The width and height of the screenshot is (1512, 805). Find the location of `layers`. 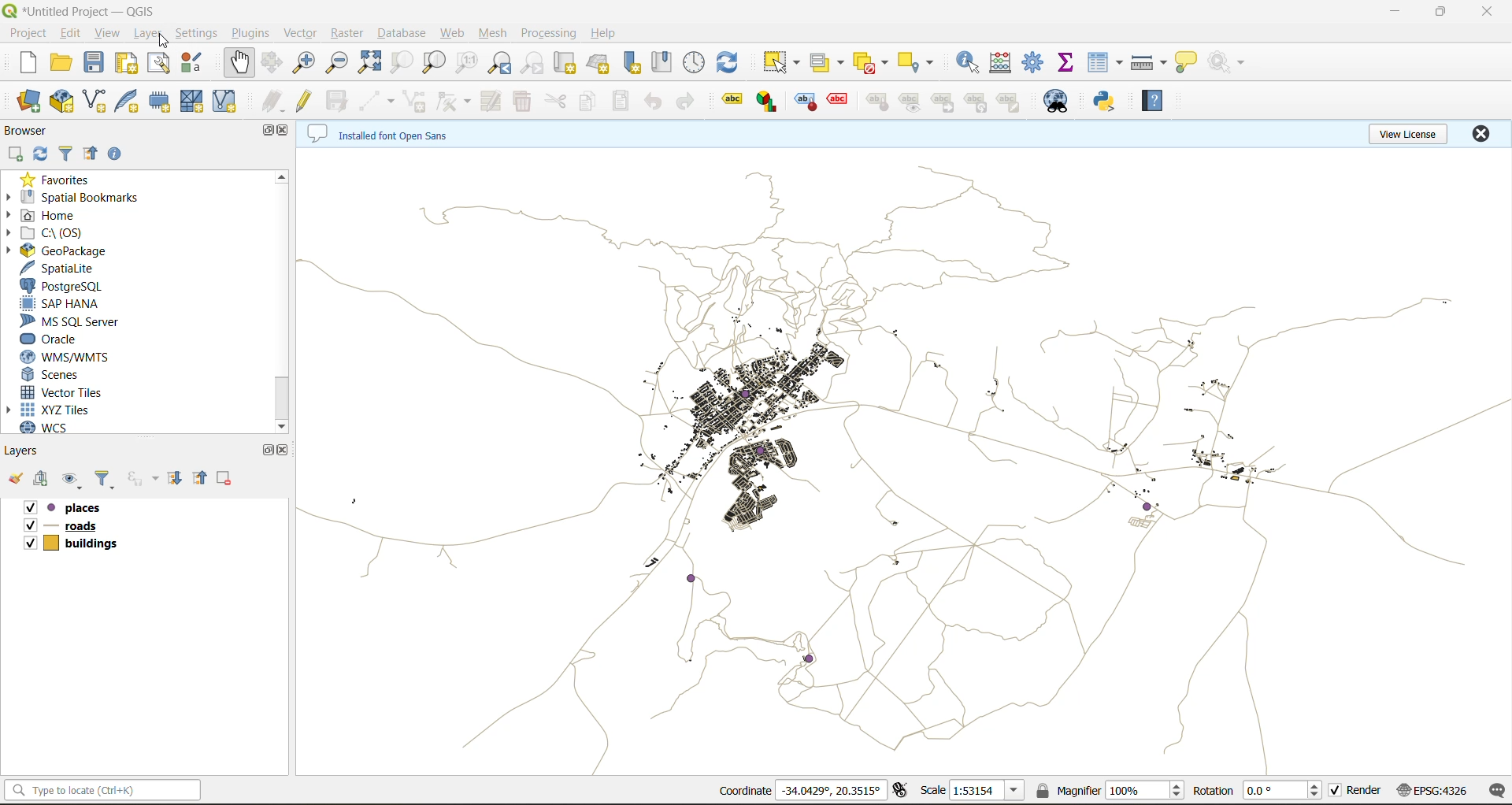

layers is located at coordinates (900, 461).